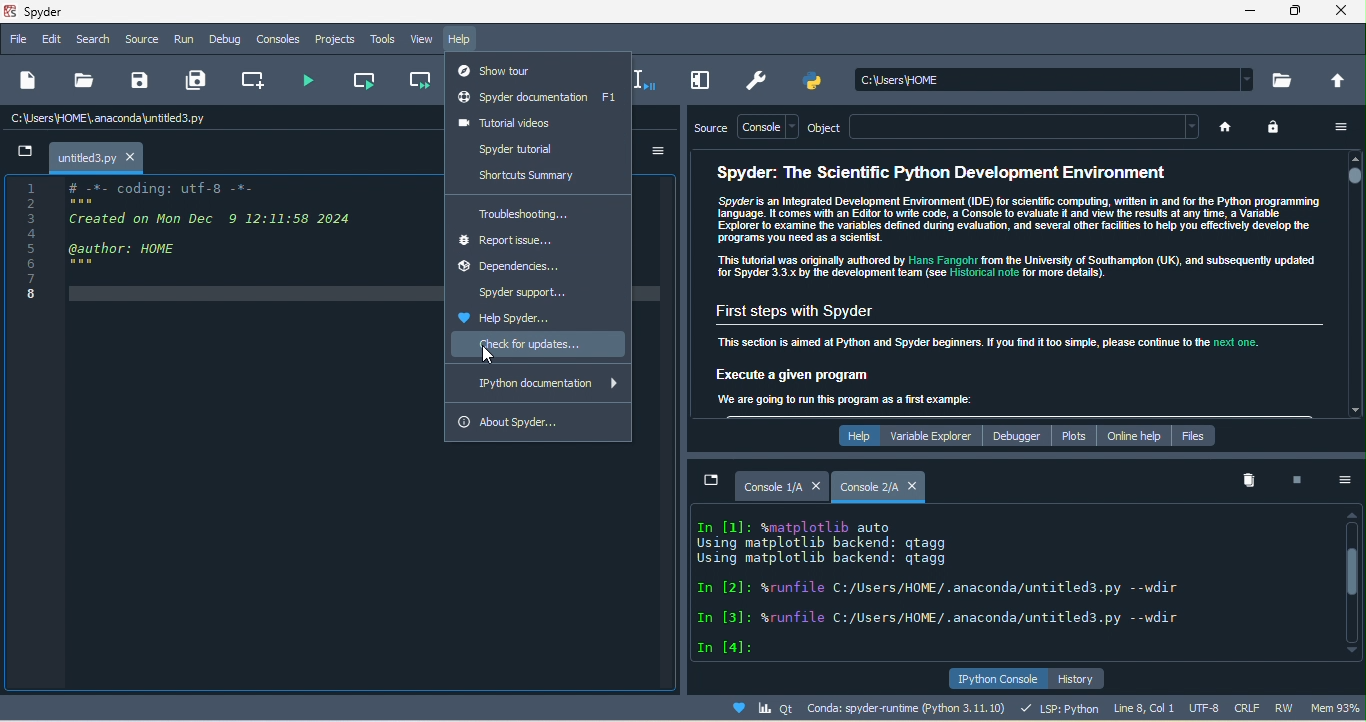 This screenshot has width=1366, height=722. I want to click on close, so click(916, 486).